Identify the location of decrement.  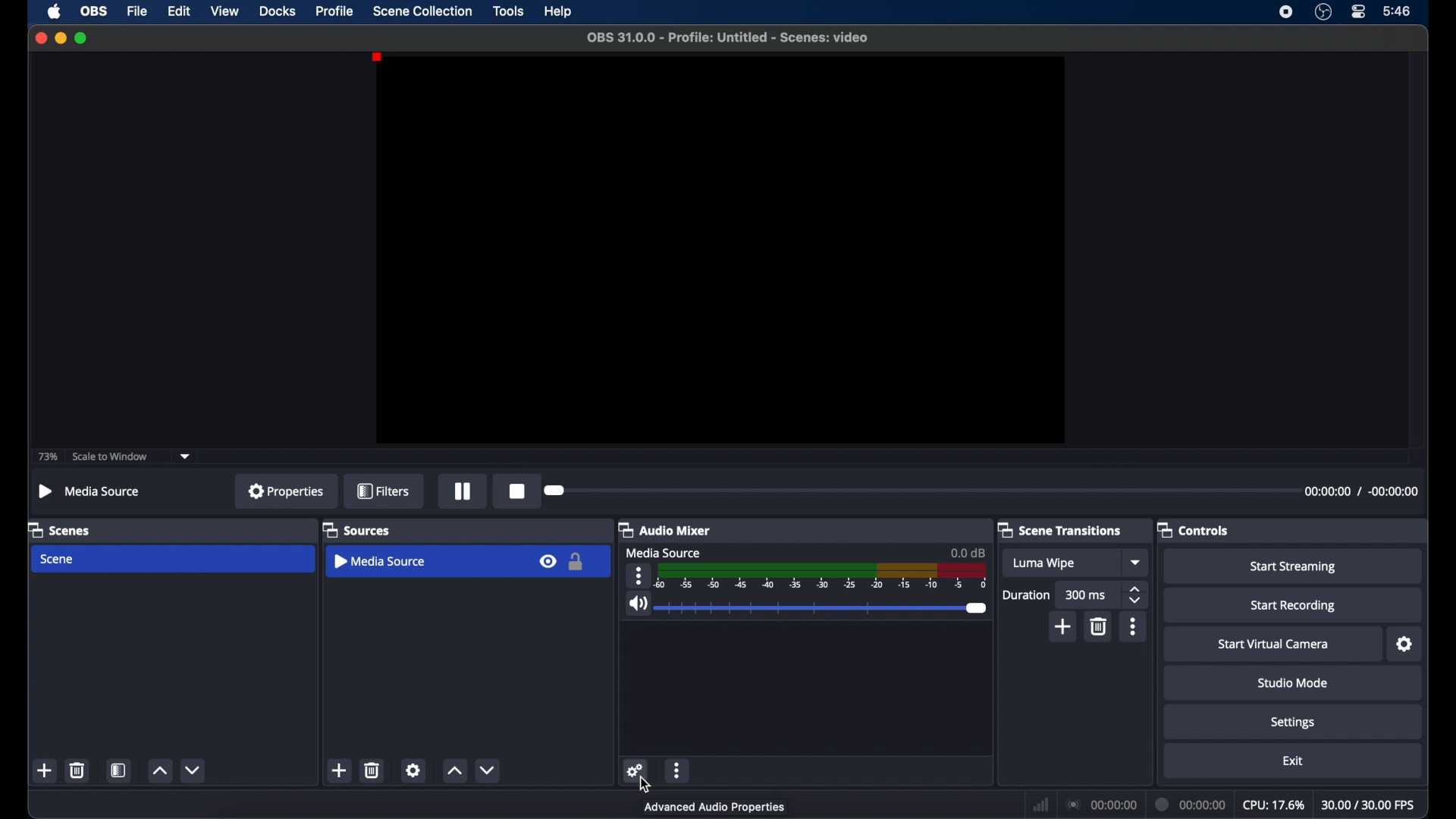
(487, 769).